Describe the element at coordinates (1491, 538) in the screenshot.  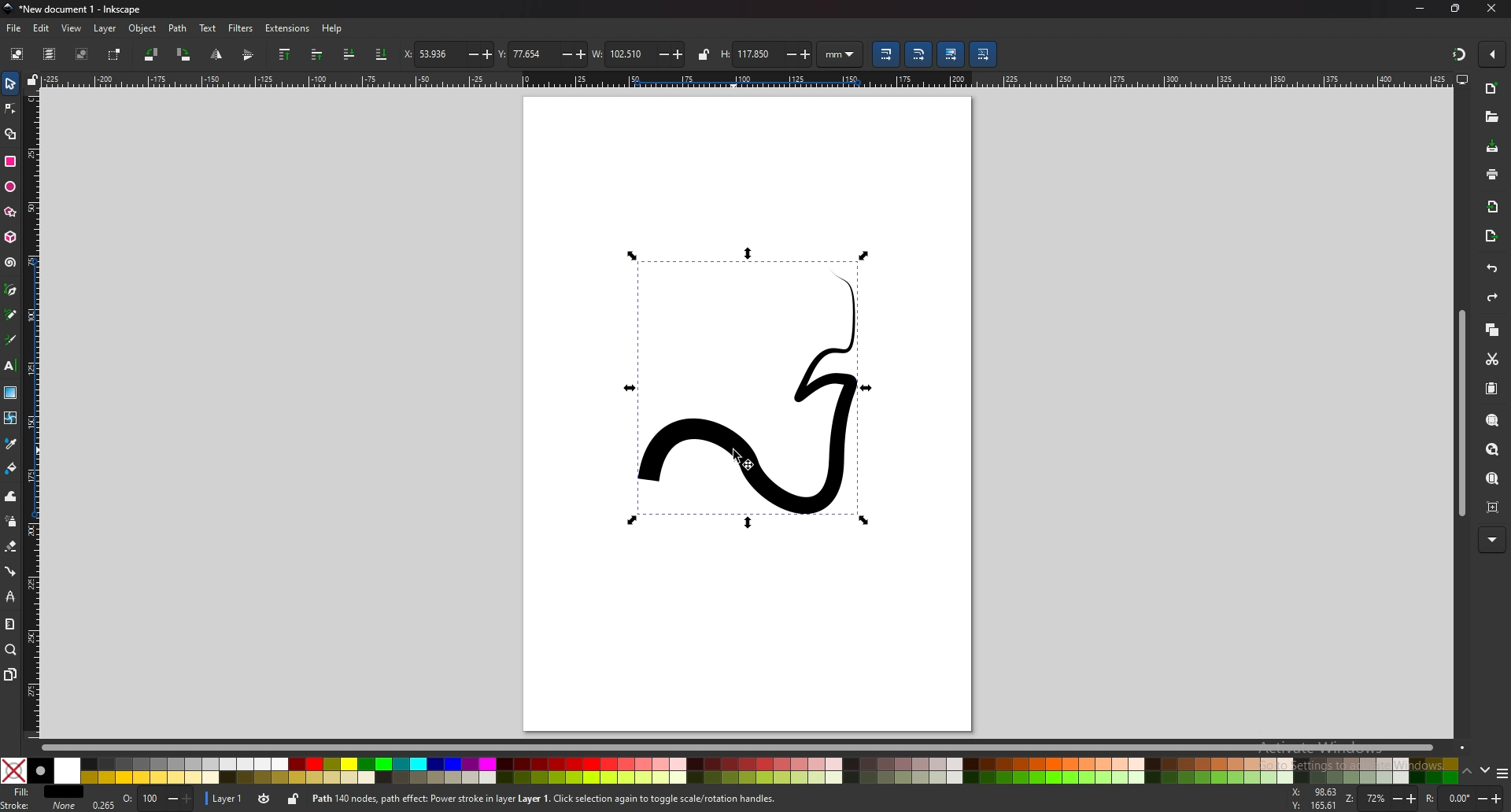
I see `MORE` at that location.